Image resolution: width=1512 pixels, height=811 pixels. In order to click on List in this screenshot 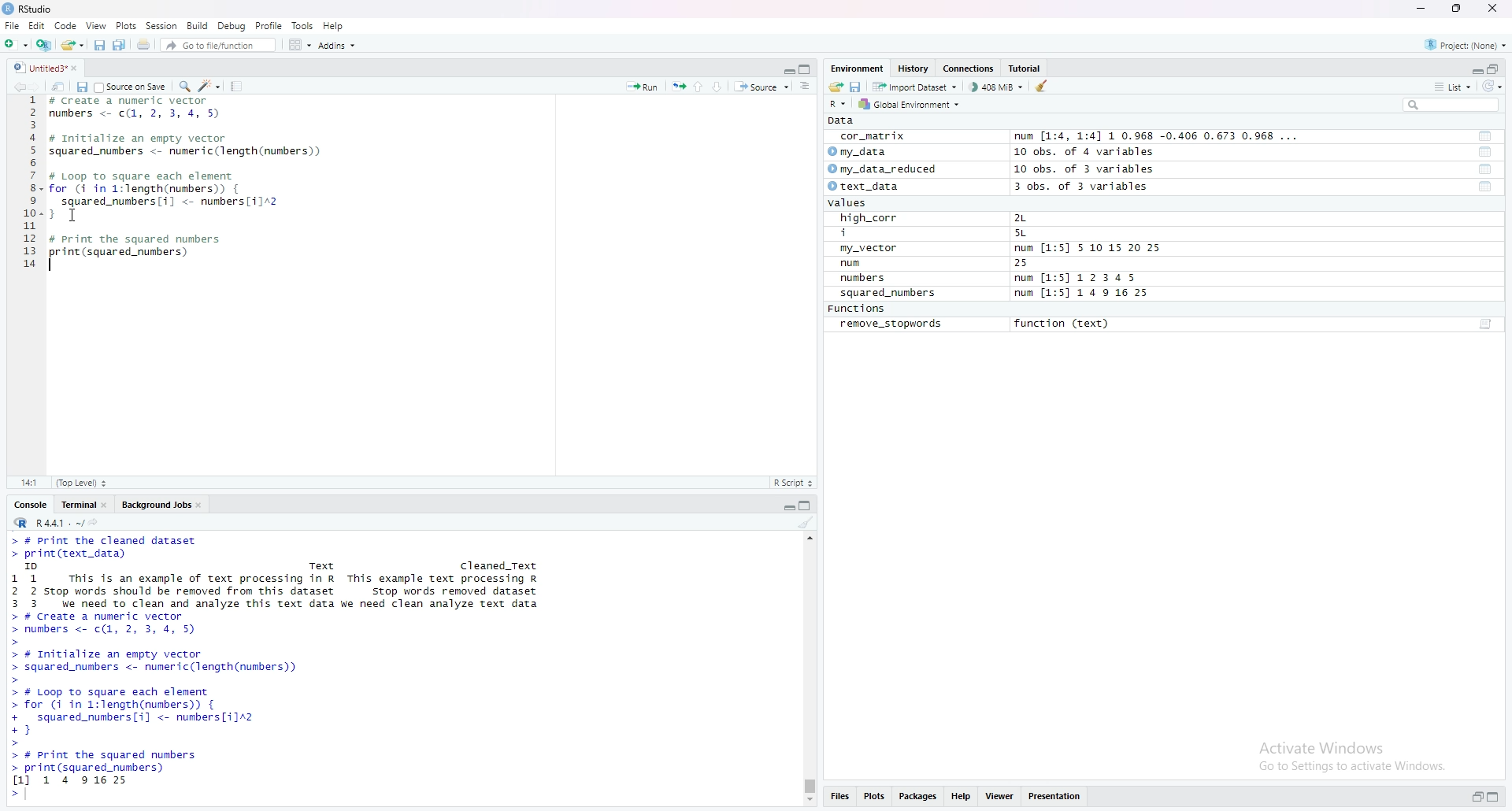, I will do `click(1453, 86)`.